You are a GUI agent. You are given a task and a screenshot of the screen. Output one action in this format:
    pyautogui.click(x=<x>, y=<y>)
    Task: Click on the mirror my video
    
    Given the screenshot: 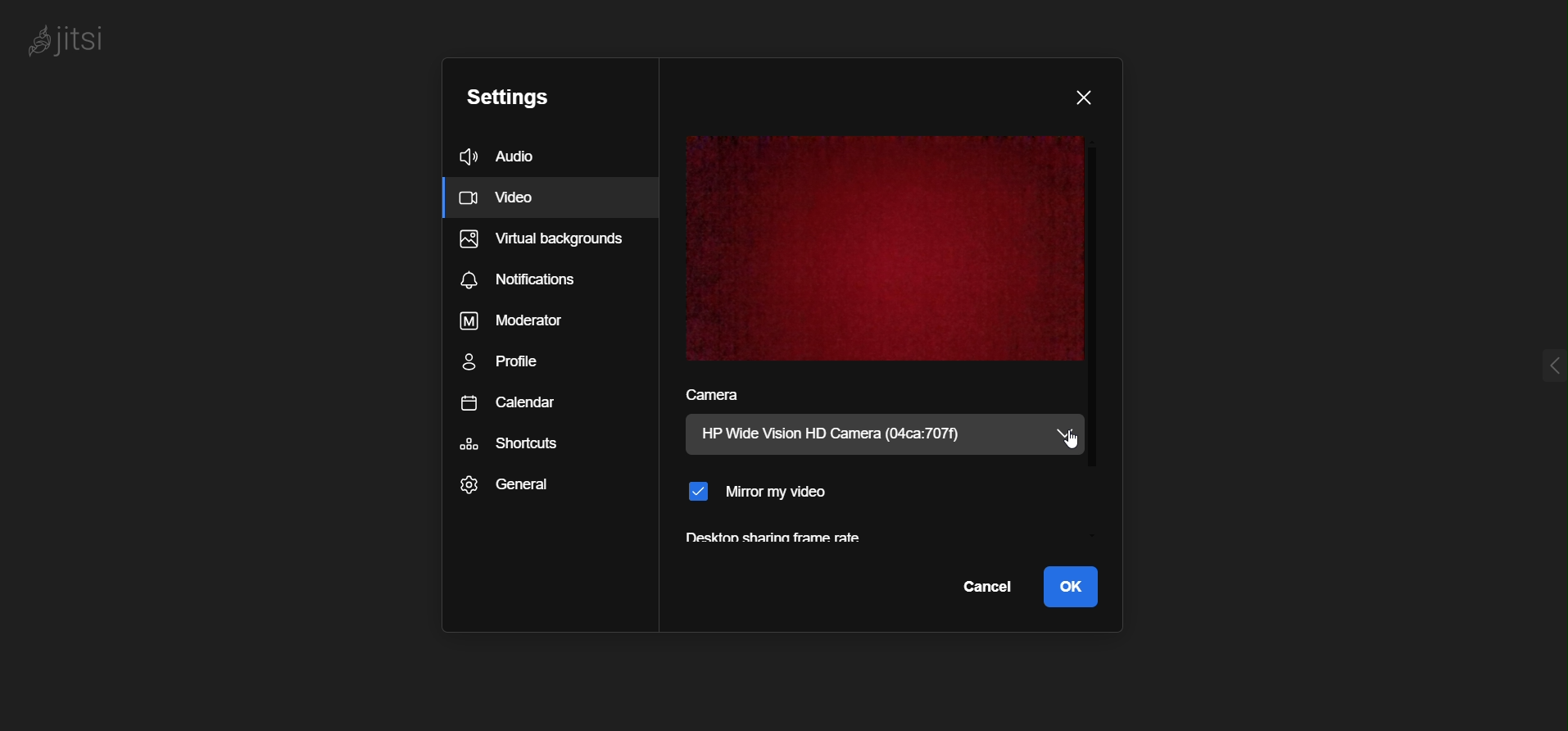 What is the action you would take?
    pyautogui.click(x=758, y=497)
    